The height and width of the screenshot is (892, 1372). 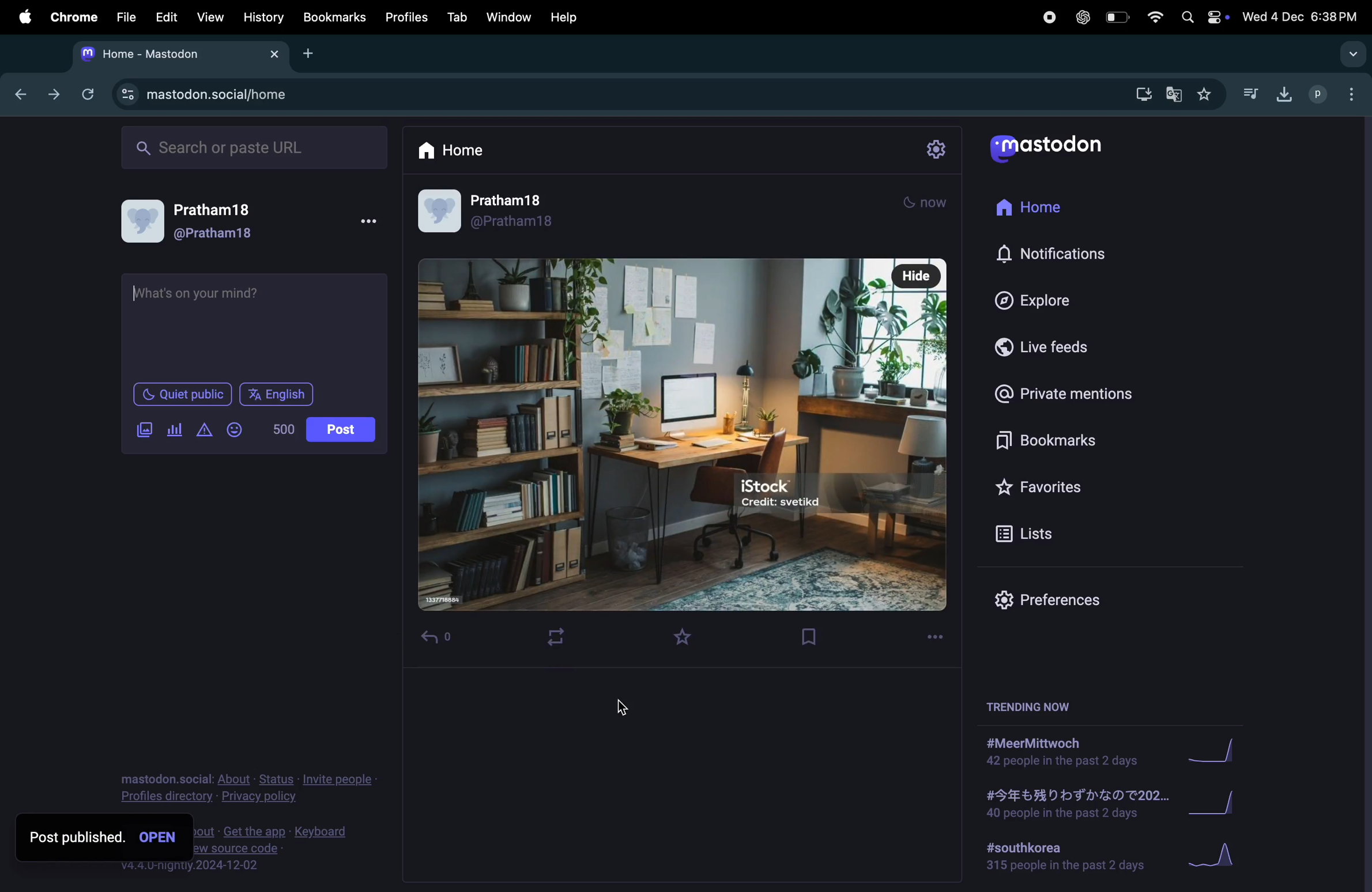 What do you see at coordinates (1143, 95) in the screenshot?
I see `download mastdon` at bounding box center [1143, 95].